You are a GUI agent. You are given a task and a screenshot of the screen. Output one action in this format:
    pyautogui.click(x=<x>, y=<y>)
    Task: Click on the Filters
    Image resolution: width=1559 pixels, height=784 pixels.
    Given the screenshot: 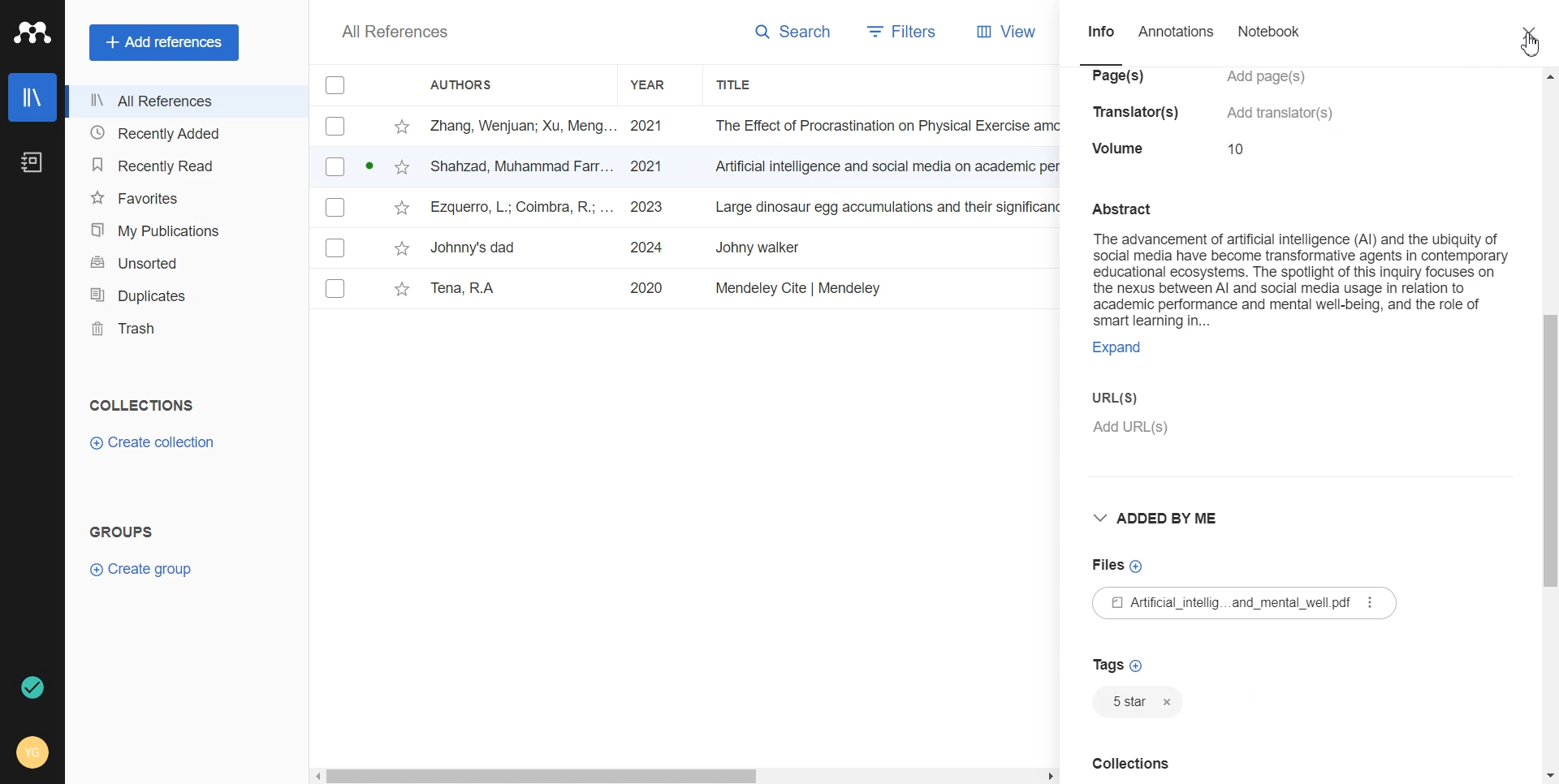 What is the action you would take?
    pyautogui.click(x=896, y=33)
    